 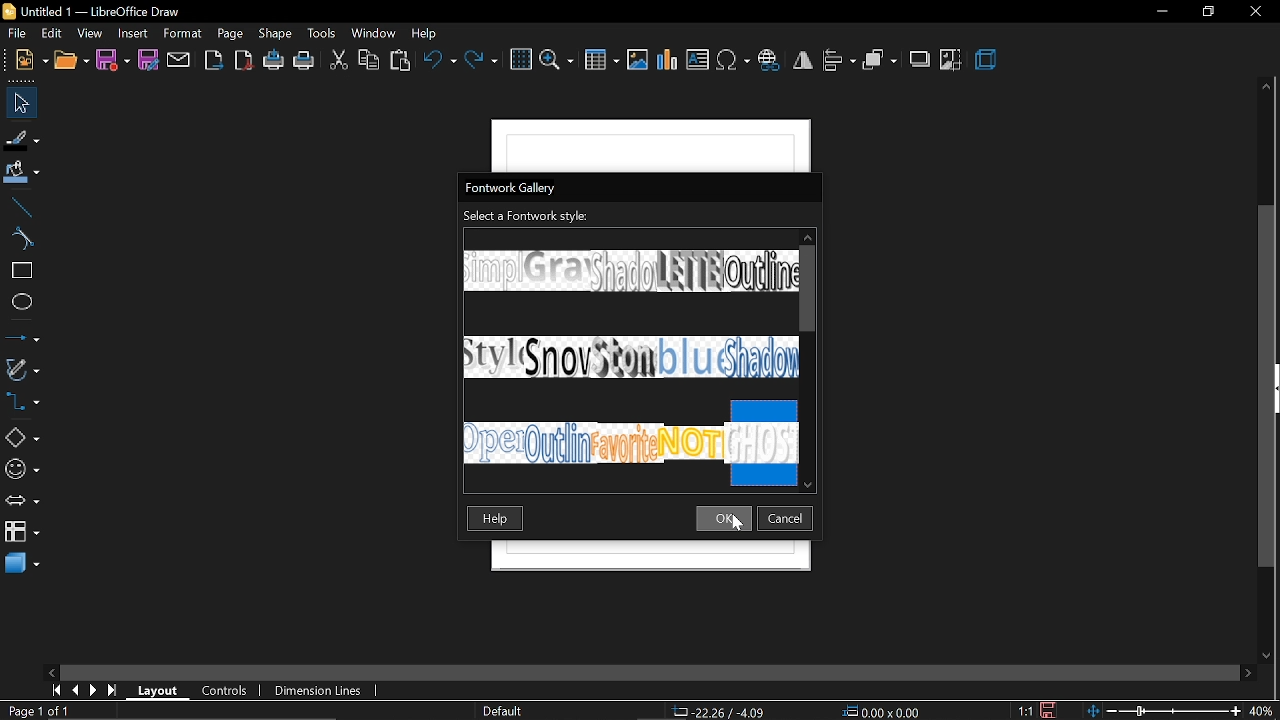 I want to click on undo, so click(x=439, y=62).